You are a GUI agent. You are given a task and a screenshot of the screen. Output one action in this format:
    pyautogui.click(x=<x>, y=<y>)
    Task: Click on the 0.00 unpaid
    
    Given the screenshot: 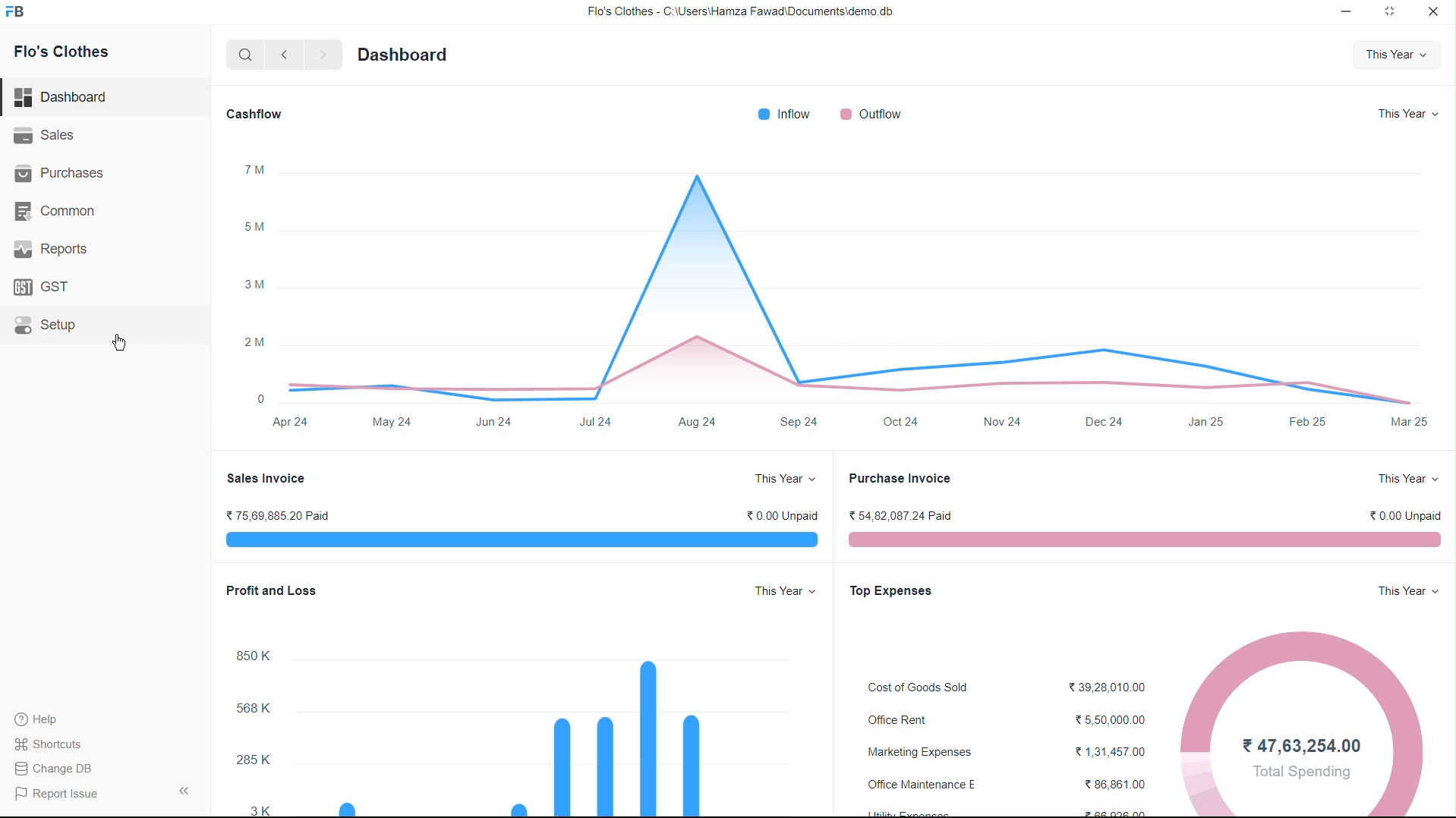 What is the action you would take?
    pyautogui.click(x=1404, y=515)
    